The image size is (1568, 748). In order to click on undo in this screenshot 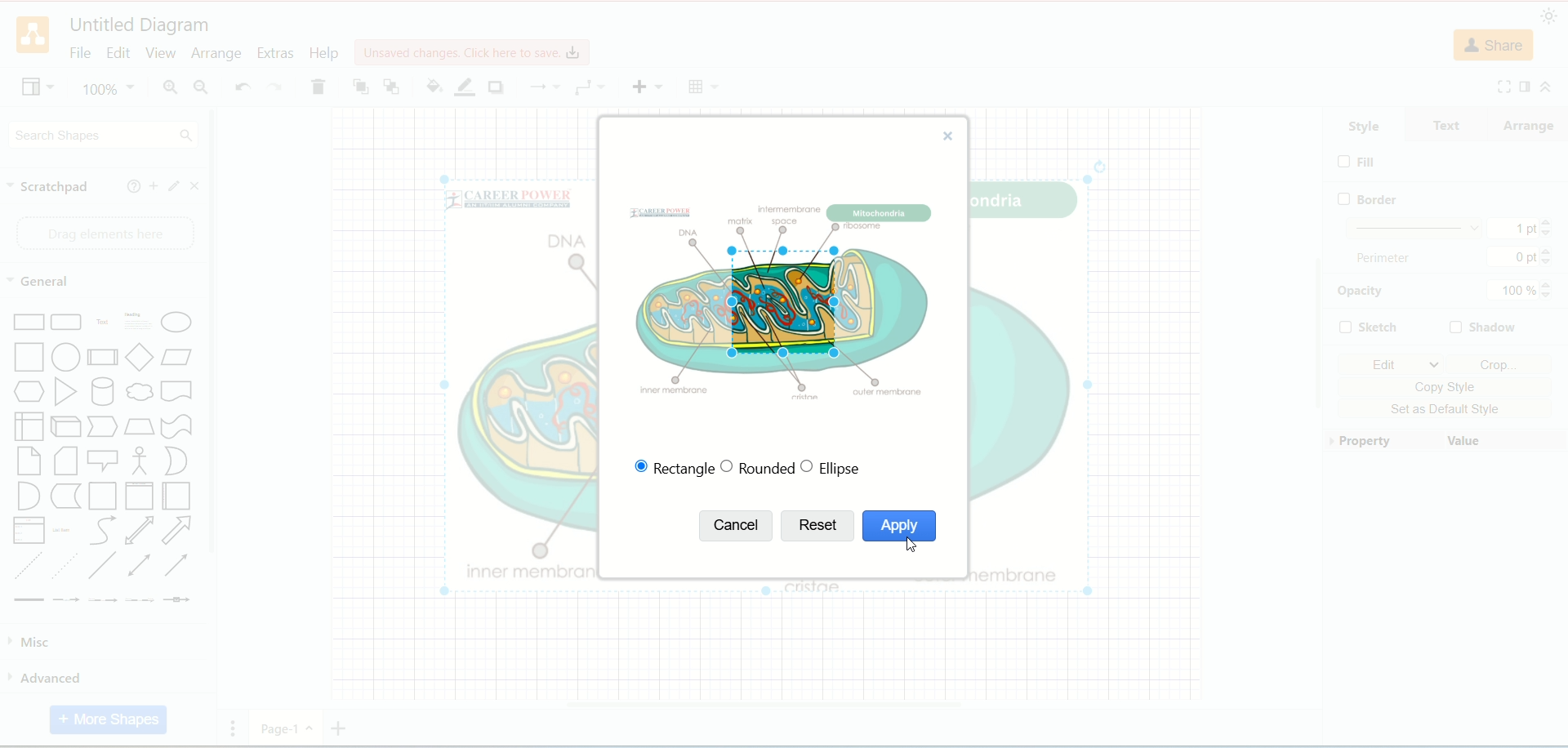, I will do `click(238, 86)`.